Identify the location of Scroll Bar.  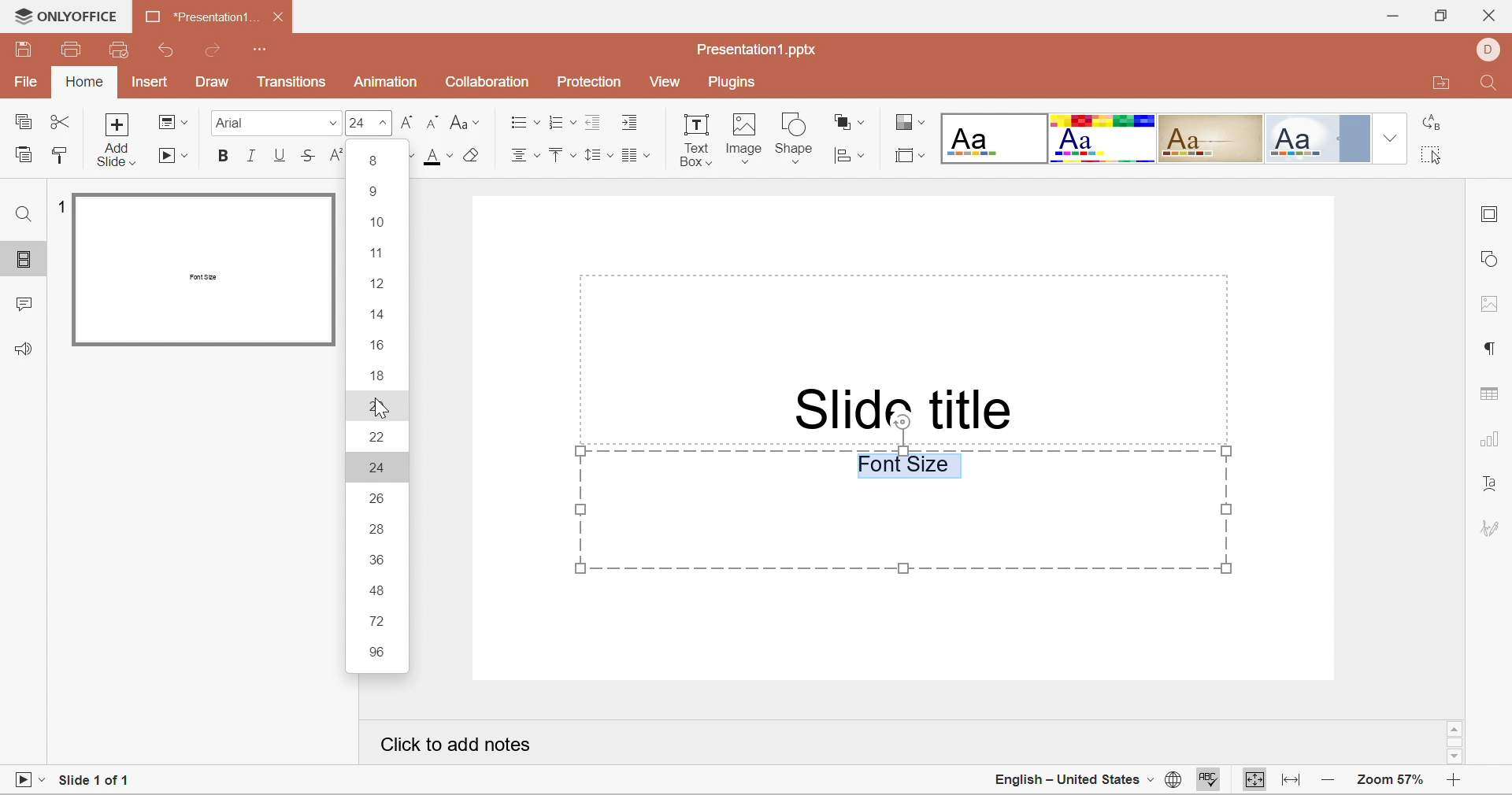
(1454, 741).